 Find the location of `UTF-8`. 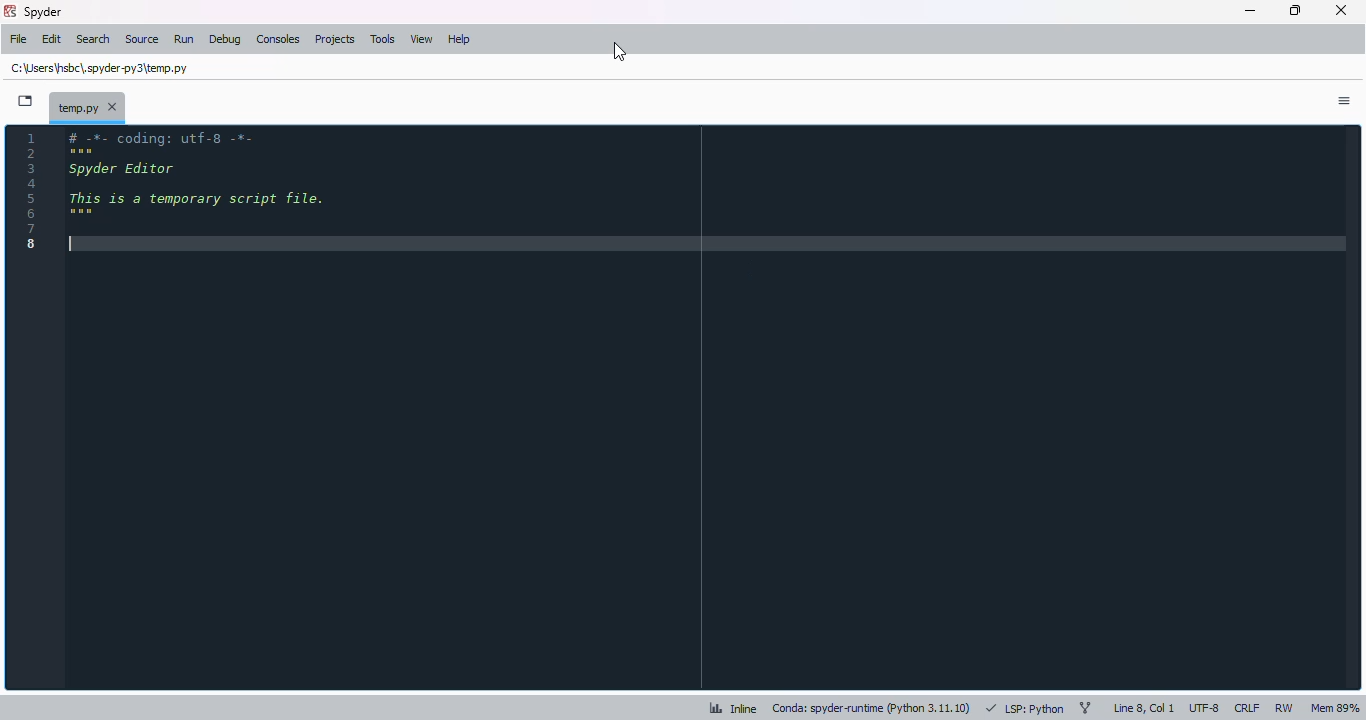

UTF-8 is located at coordinates (1205, 707).